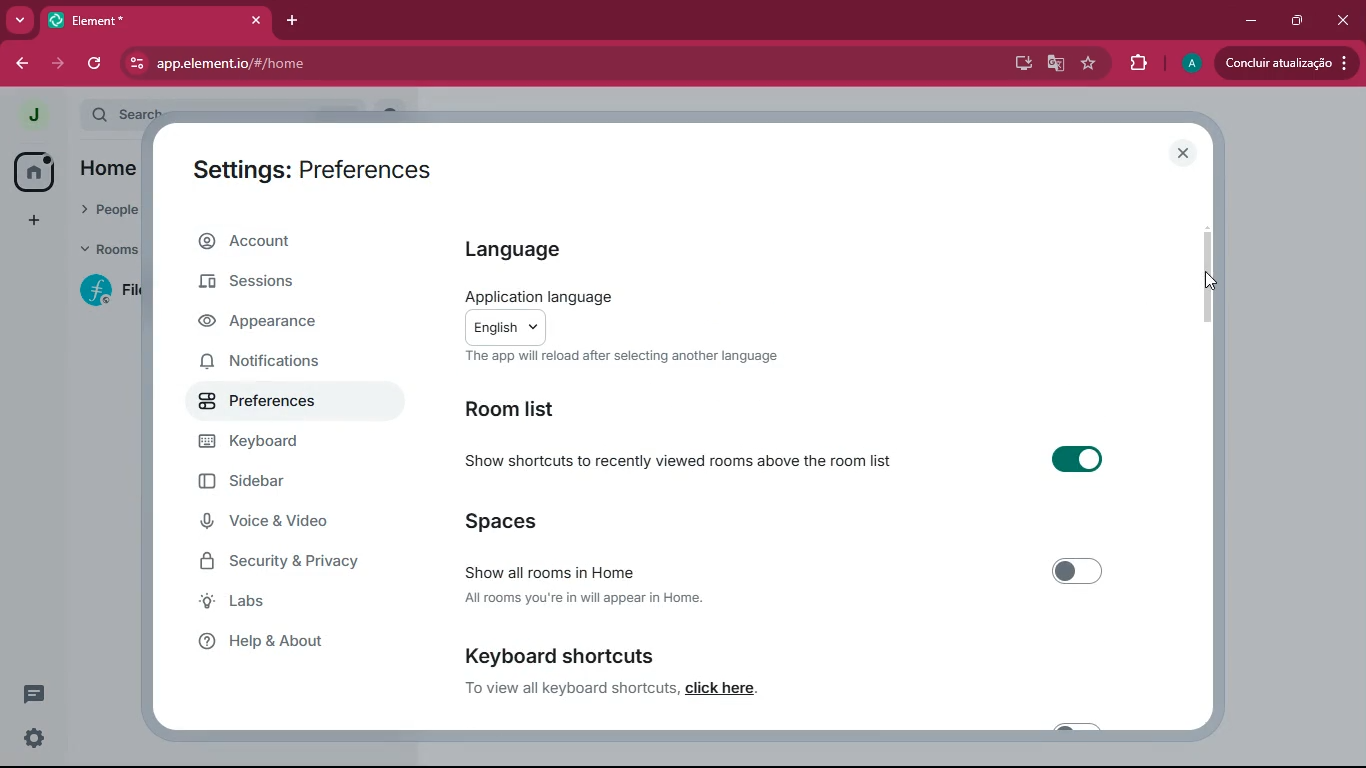 The image size is (1366, 768). Describe the element at coordinates (278, 445) in the screenshot. I see `keyboard` at that location.